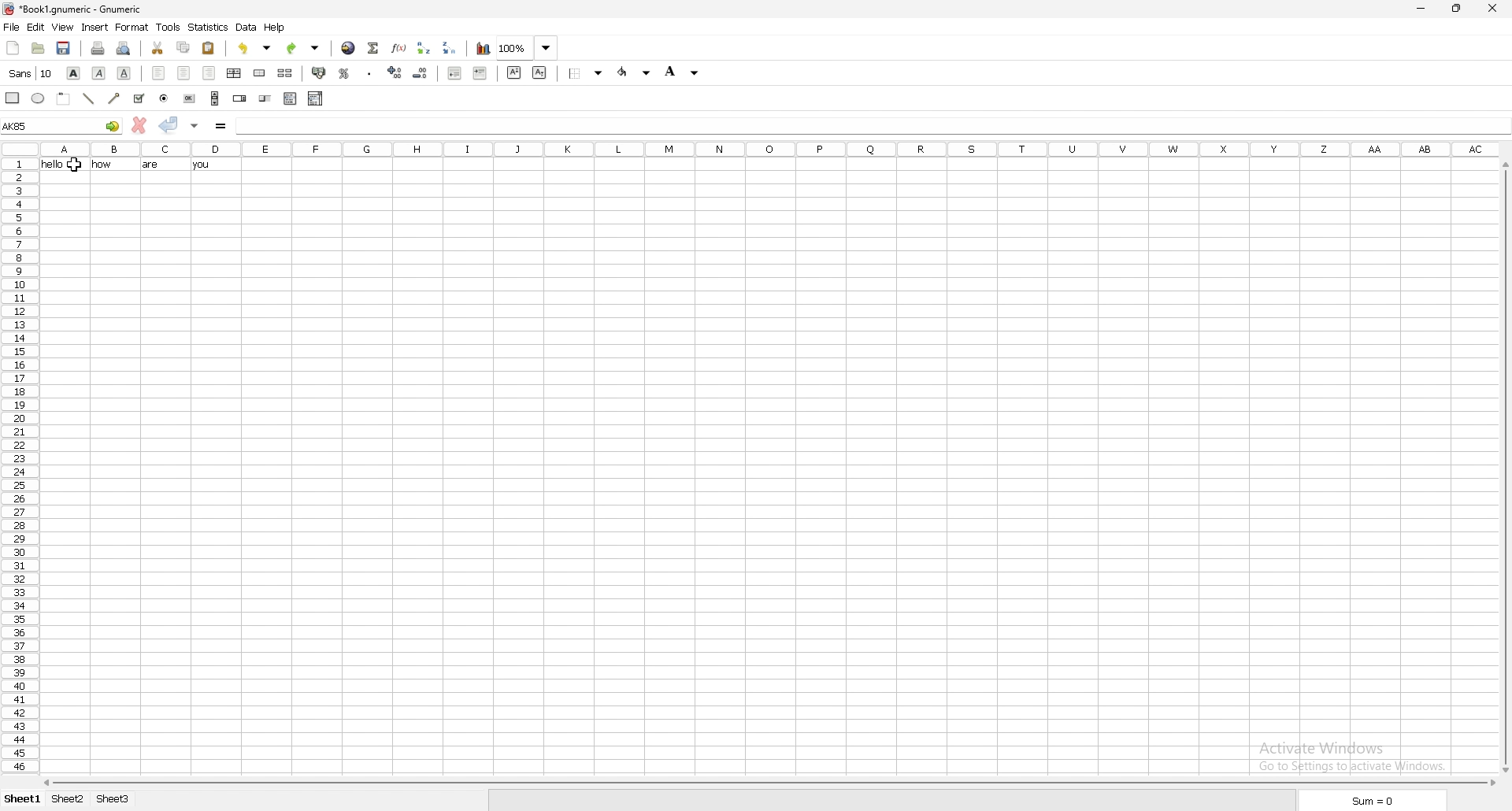 This screenshot has height=811, width=1512. Describe the element at coordinates (73, 9) in the screenshot. I see `file name` at that location.